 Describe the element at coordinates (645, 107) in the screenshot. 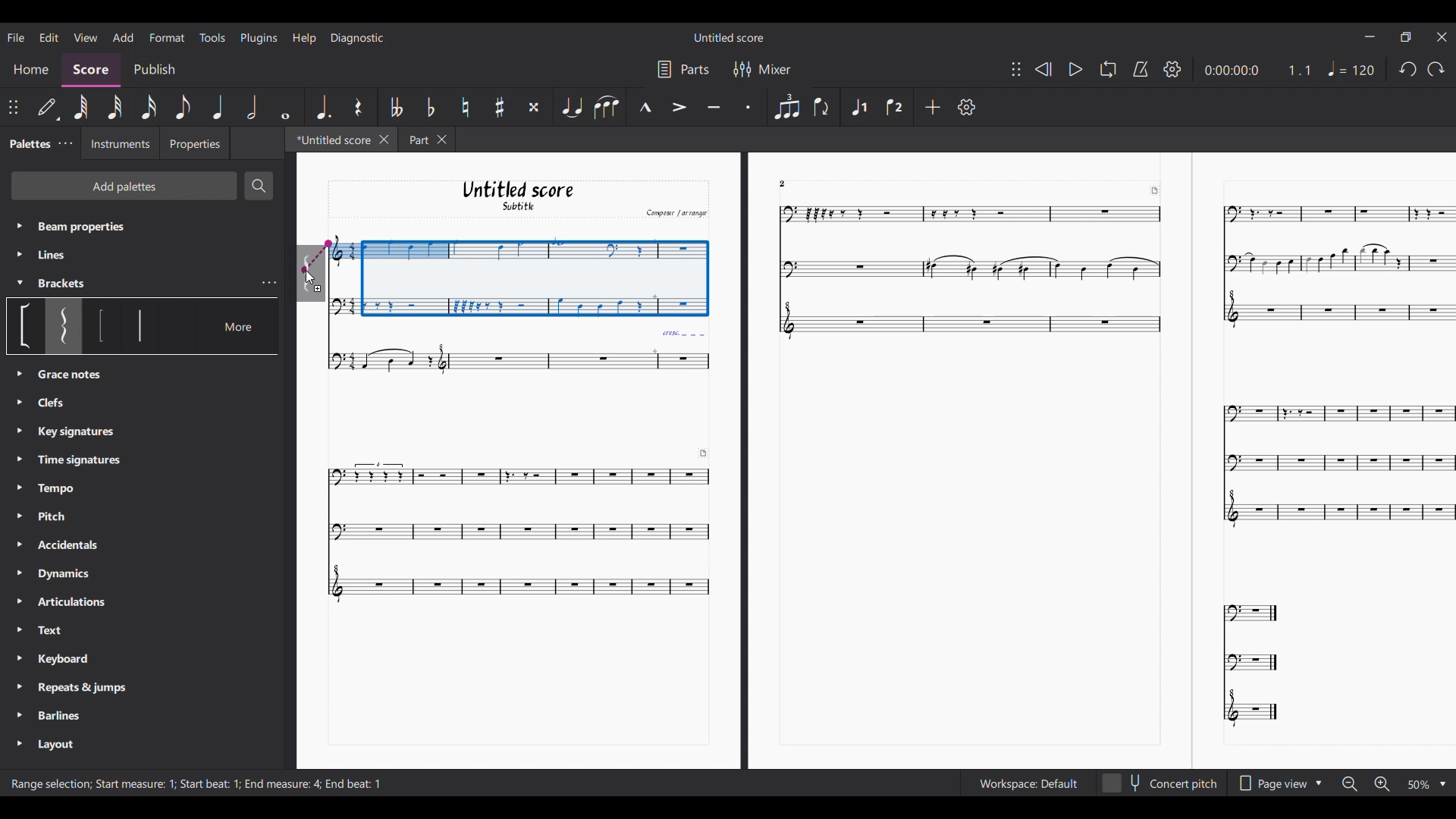

I see `Marcato` at that location.